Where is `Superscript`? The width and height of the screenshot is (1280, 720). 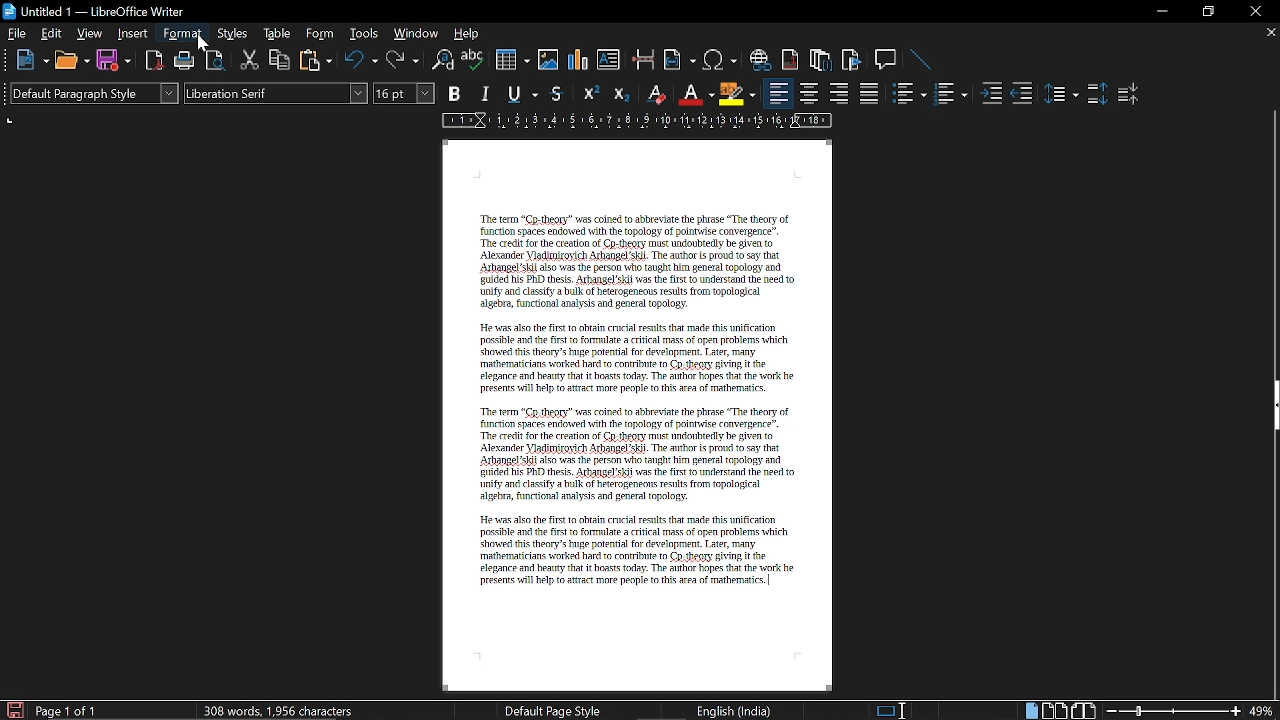 Superscript is located at coordinates (590, 94).